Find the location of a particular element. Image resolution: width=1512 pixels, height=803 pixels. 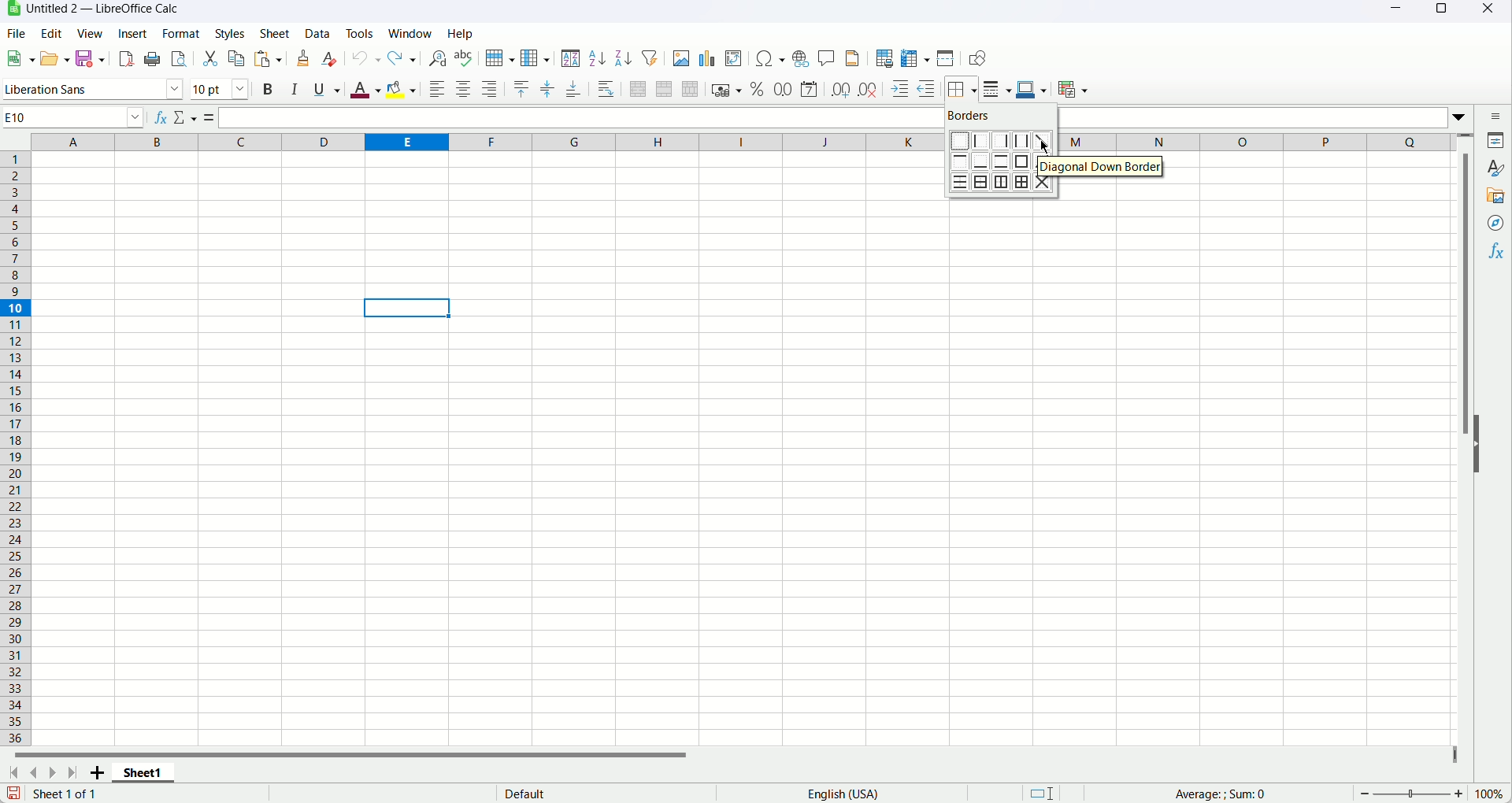

Copy is located at coordinates (237, 57).